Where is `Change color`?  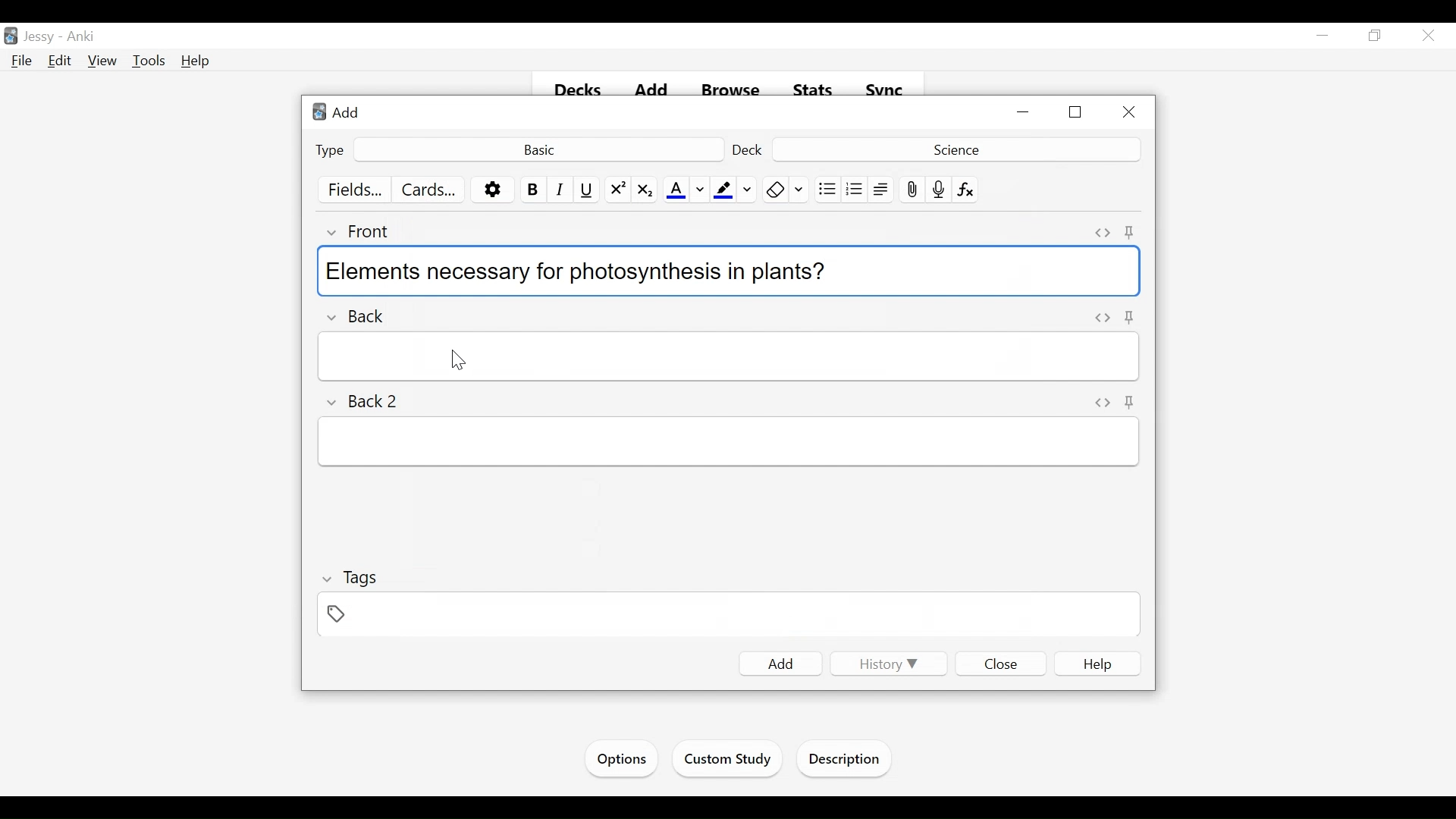
Change color is located at coordinates (700, 190).